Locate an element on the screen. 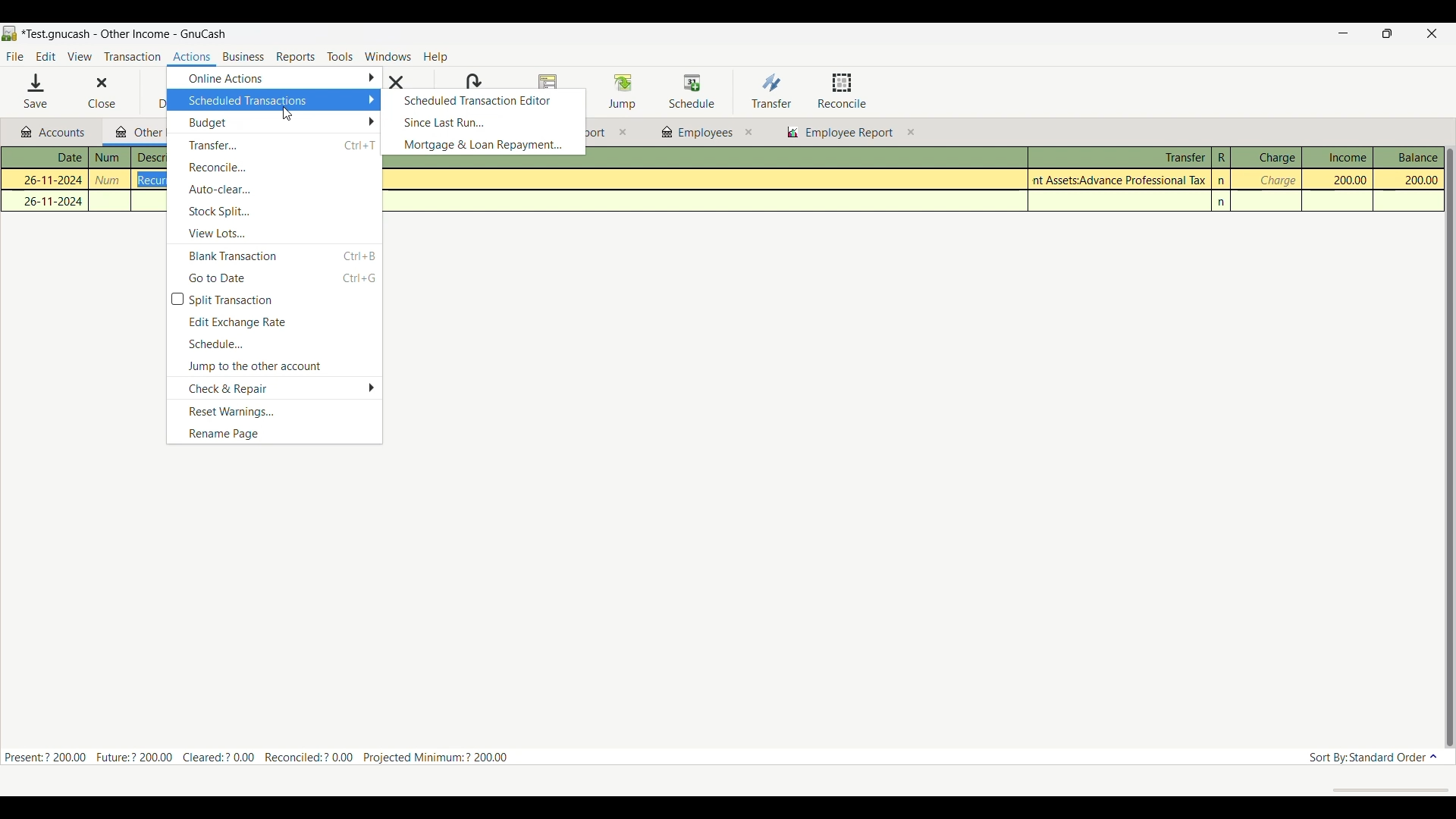  Reconcile is located at coordinates (275, 168).